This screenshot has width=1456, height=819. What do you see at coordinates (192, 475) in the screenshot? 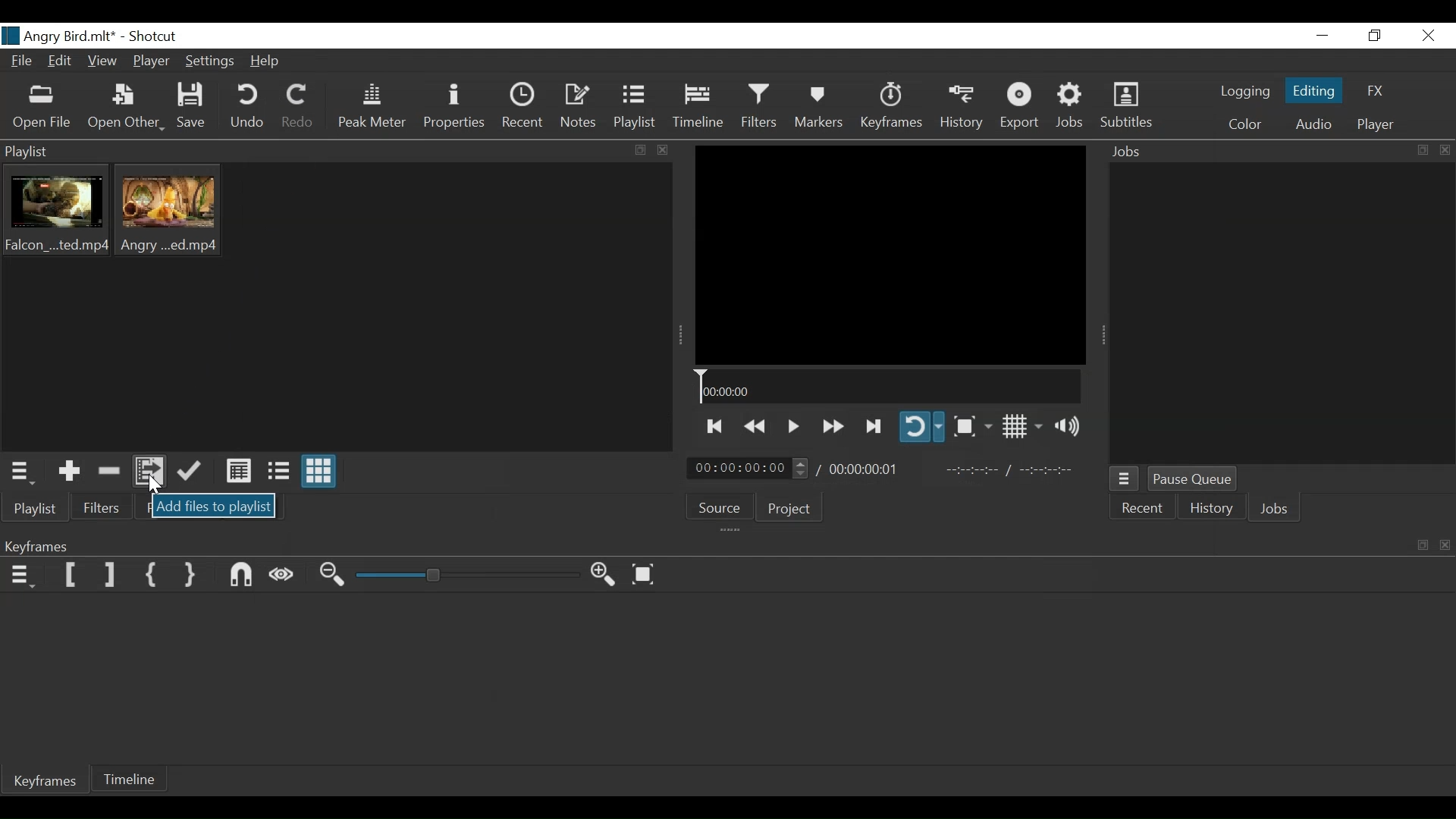
I see `Update` at bounding box center [192, 475].